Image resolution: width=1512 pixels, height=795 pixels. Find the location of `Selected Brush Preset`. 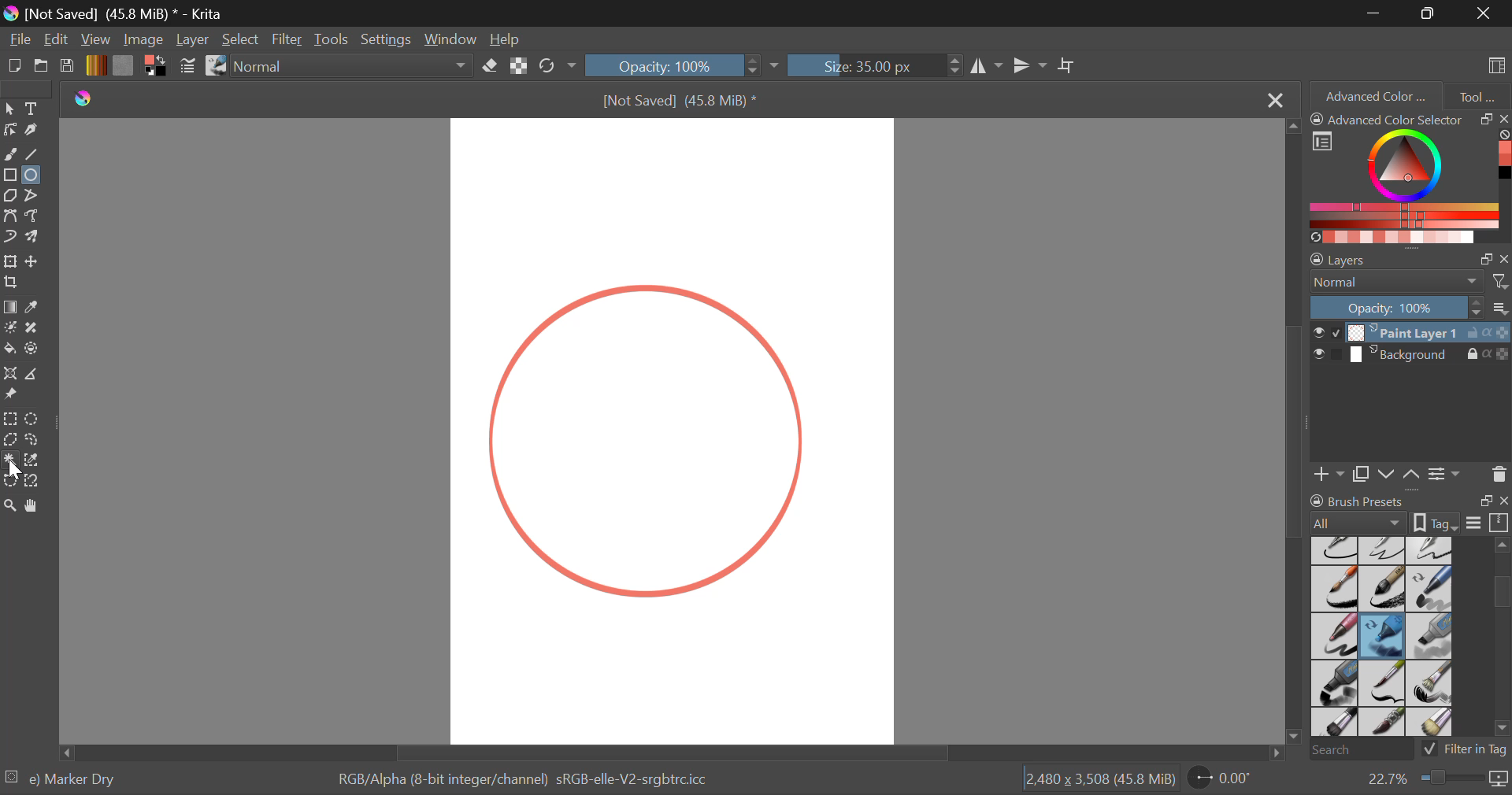

Selected Brush Preset is located at coordinates (65, 777).